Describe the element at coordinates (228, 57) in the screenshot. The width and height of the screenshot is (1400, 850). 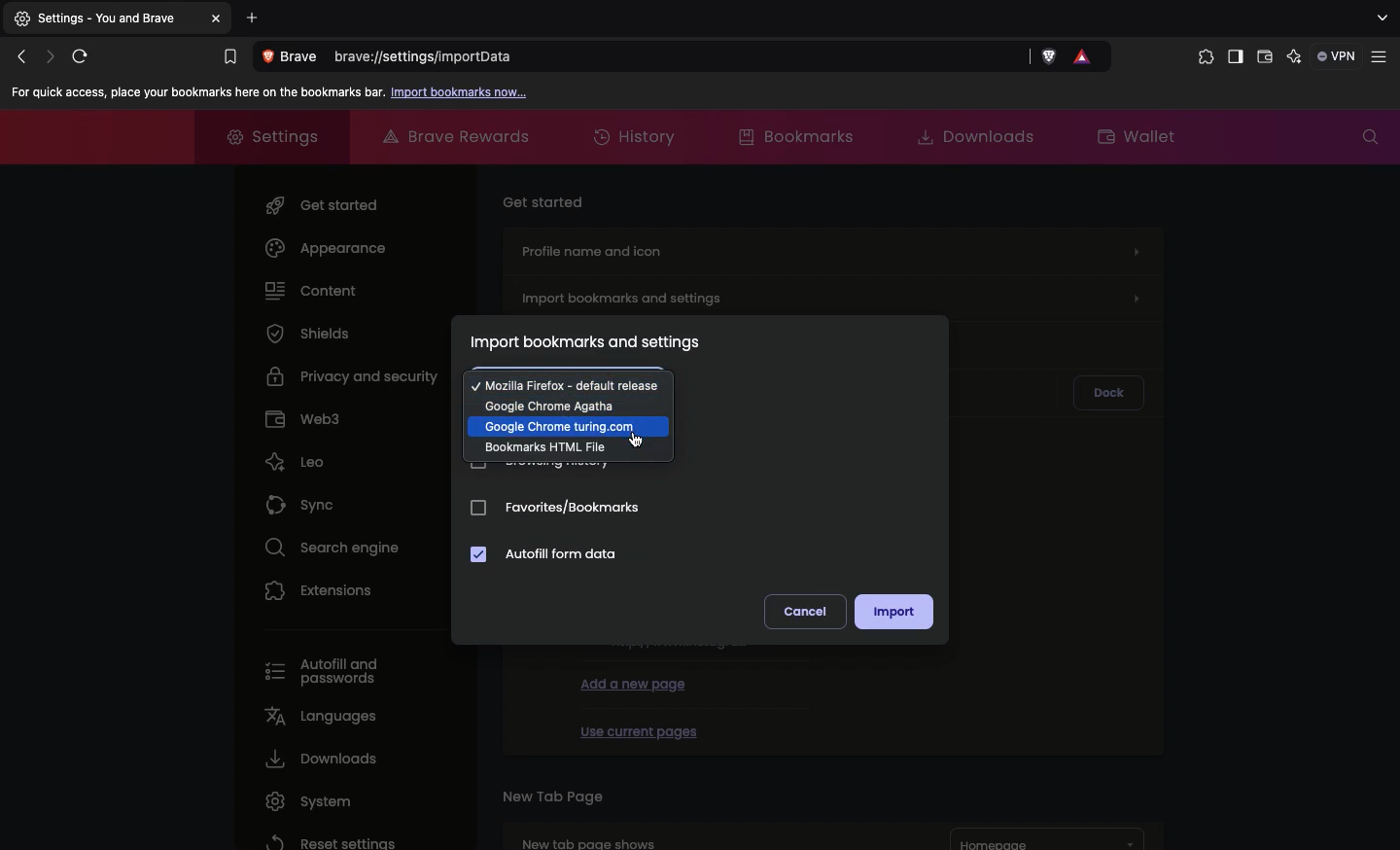
I see `Bookmarks` at that location.